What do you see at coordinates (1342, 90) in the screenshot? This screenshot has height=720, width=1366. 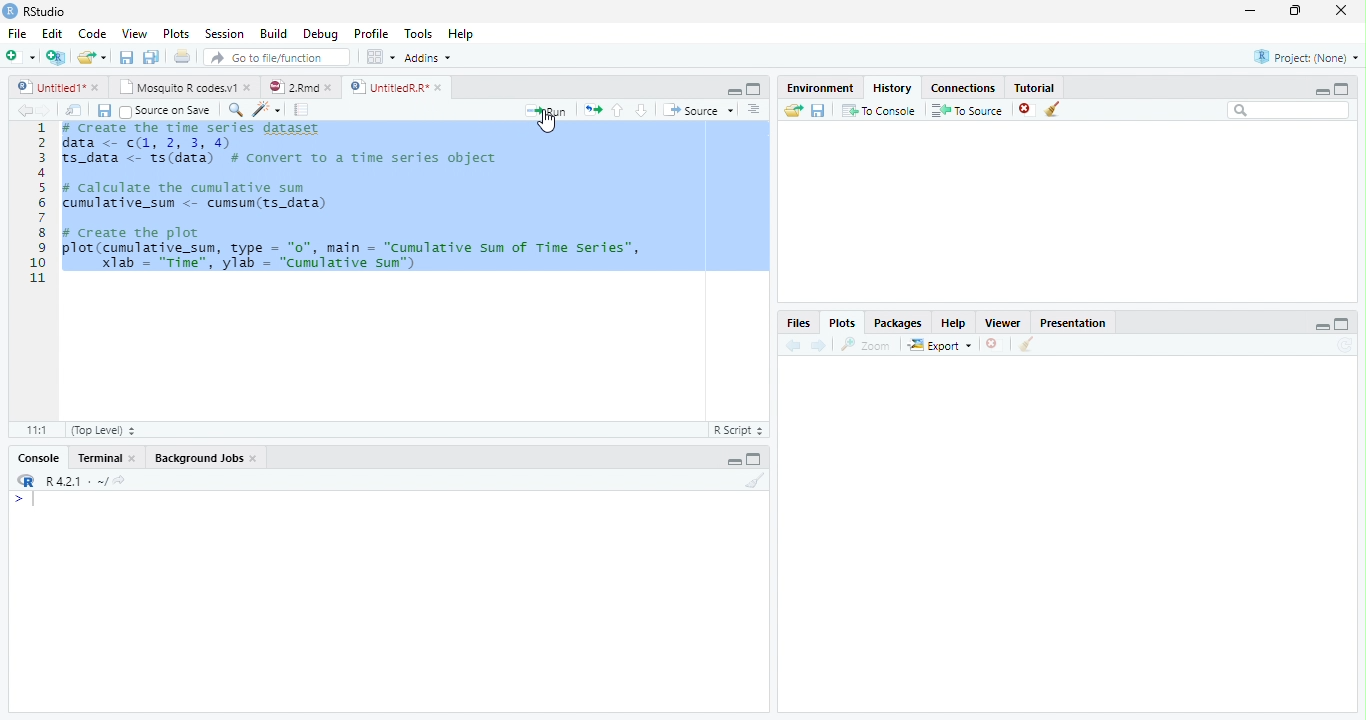 I see `Maximize` at bounding box center [1342, 90].